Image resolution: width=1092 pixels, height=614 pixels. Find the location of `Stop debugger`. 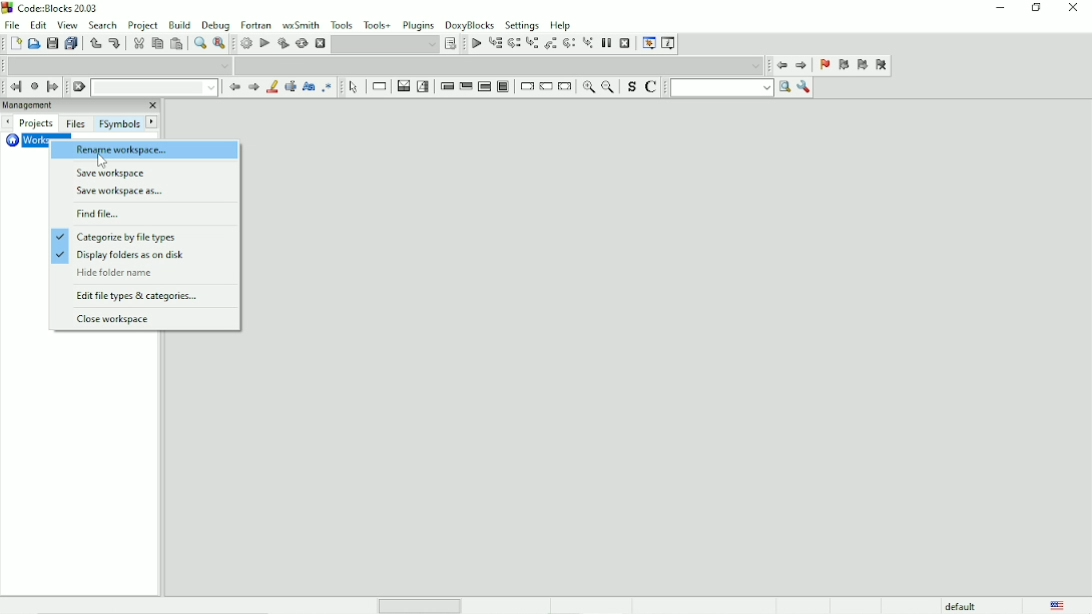

Stop debugger is located at coordinates (625, 43).